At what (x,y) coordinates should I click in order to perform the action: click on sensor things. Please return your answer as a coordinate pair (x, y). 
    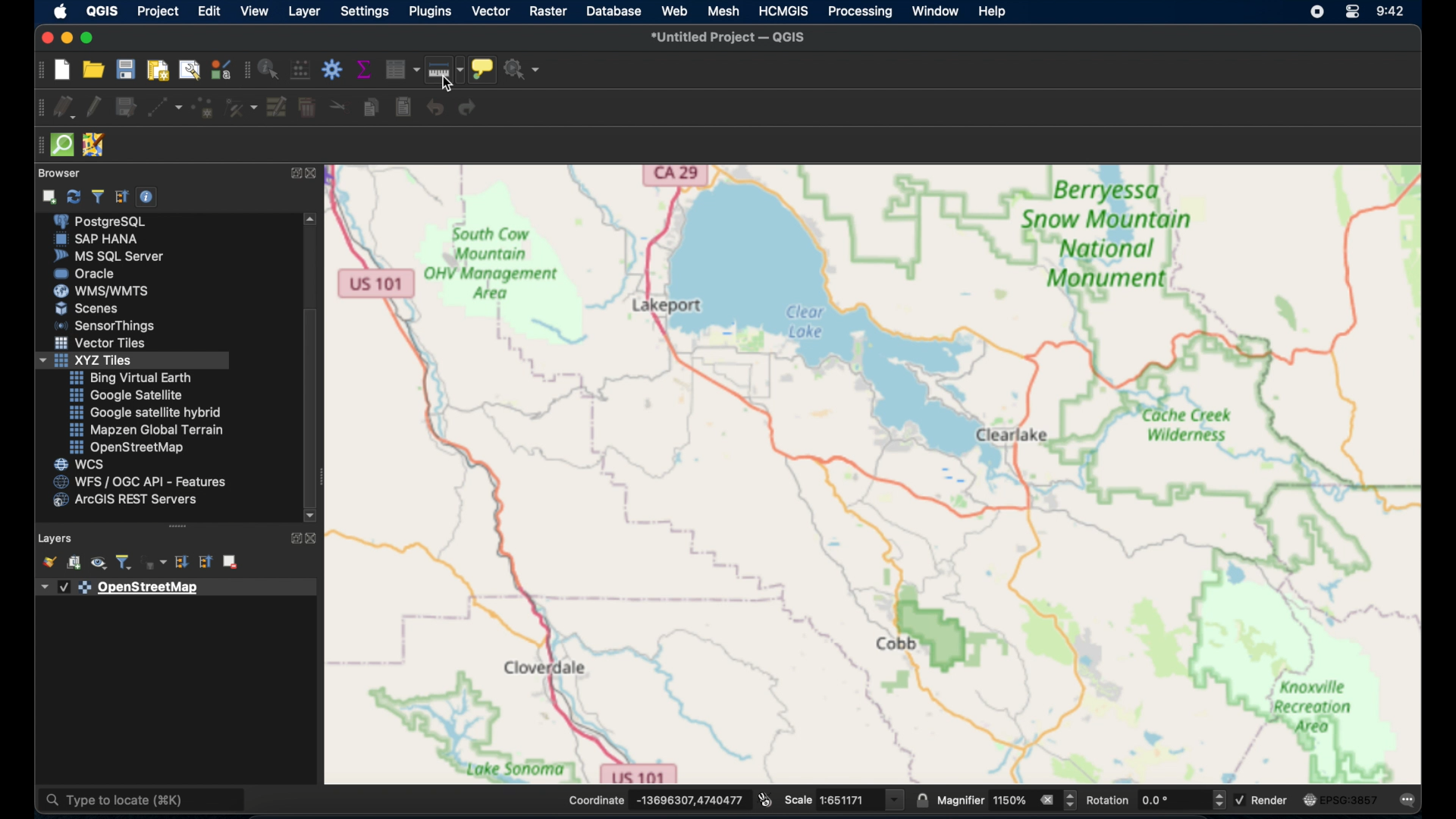
    Looking at the image, I should click on (108, 325).